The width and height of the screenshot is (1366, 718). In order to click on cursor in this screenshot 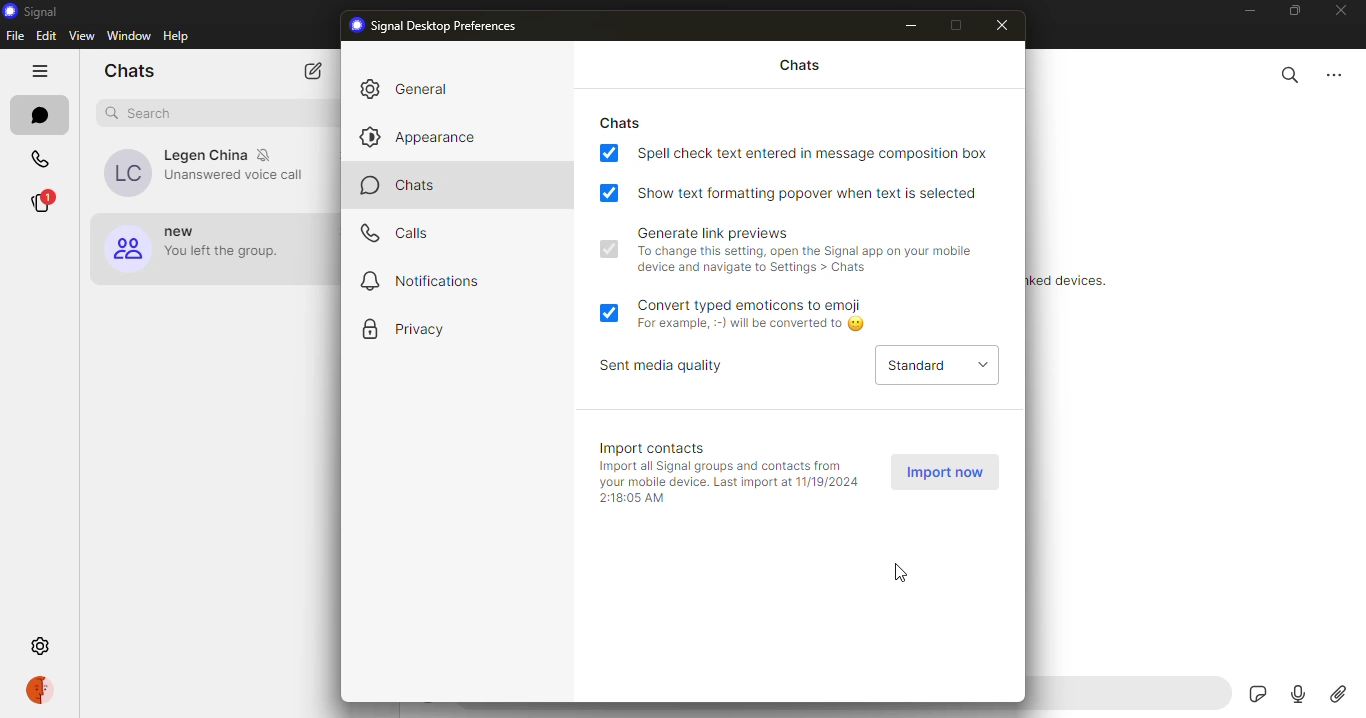, I will do `click(903, 572)`.